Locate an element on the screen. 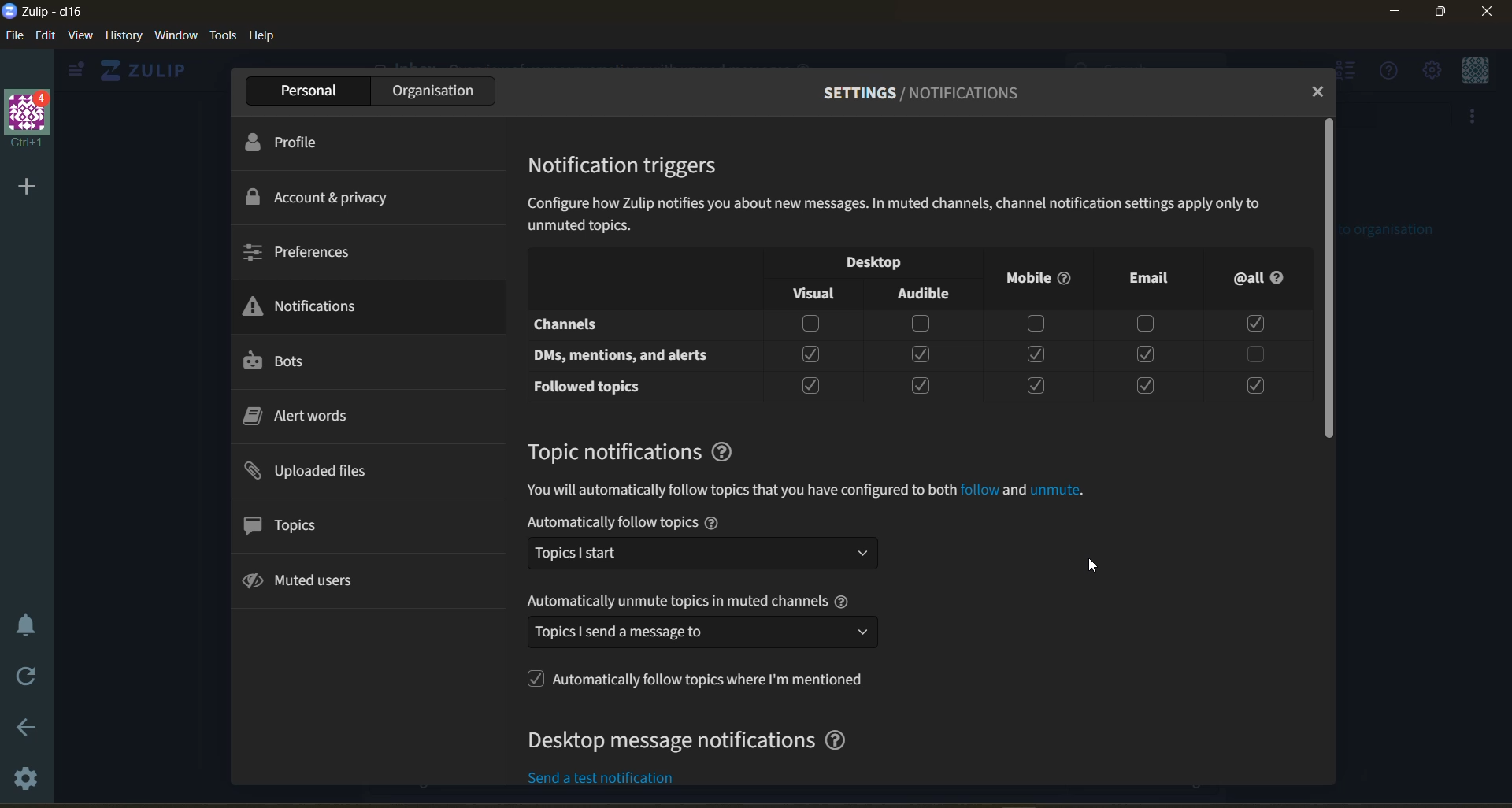  @all is located at coordinates (1266, 280).